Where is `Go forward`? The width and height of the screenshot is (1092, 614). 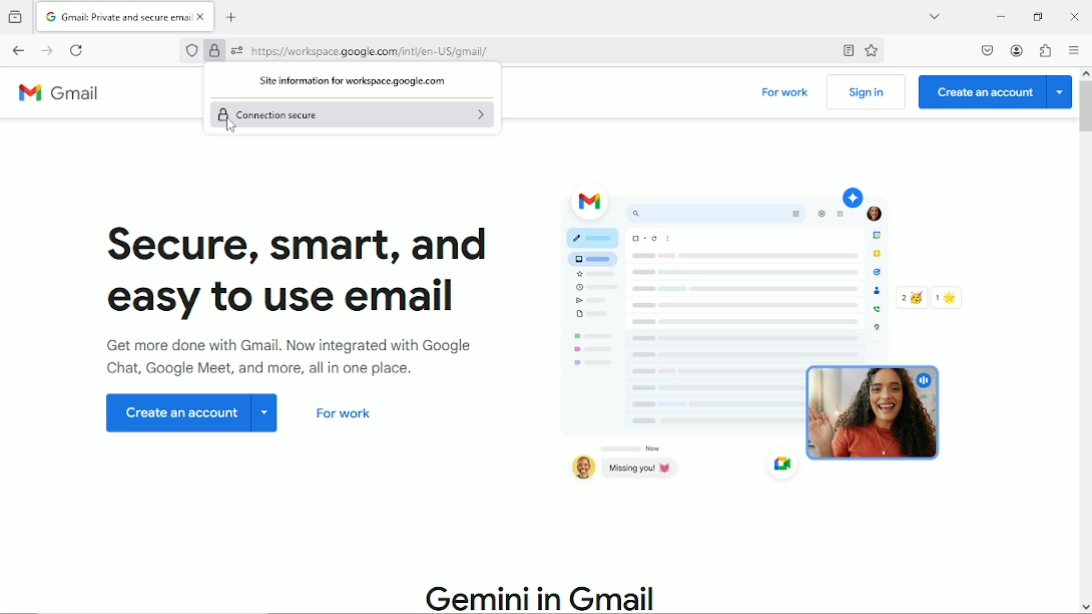
Go forward is located at coordinates (47, 50).